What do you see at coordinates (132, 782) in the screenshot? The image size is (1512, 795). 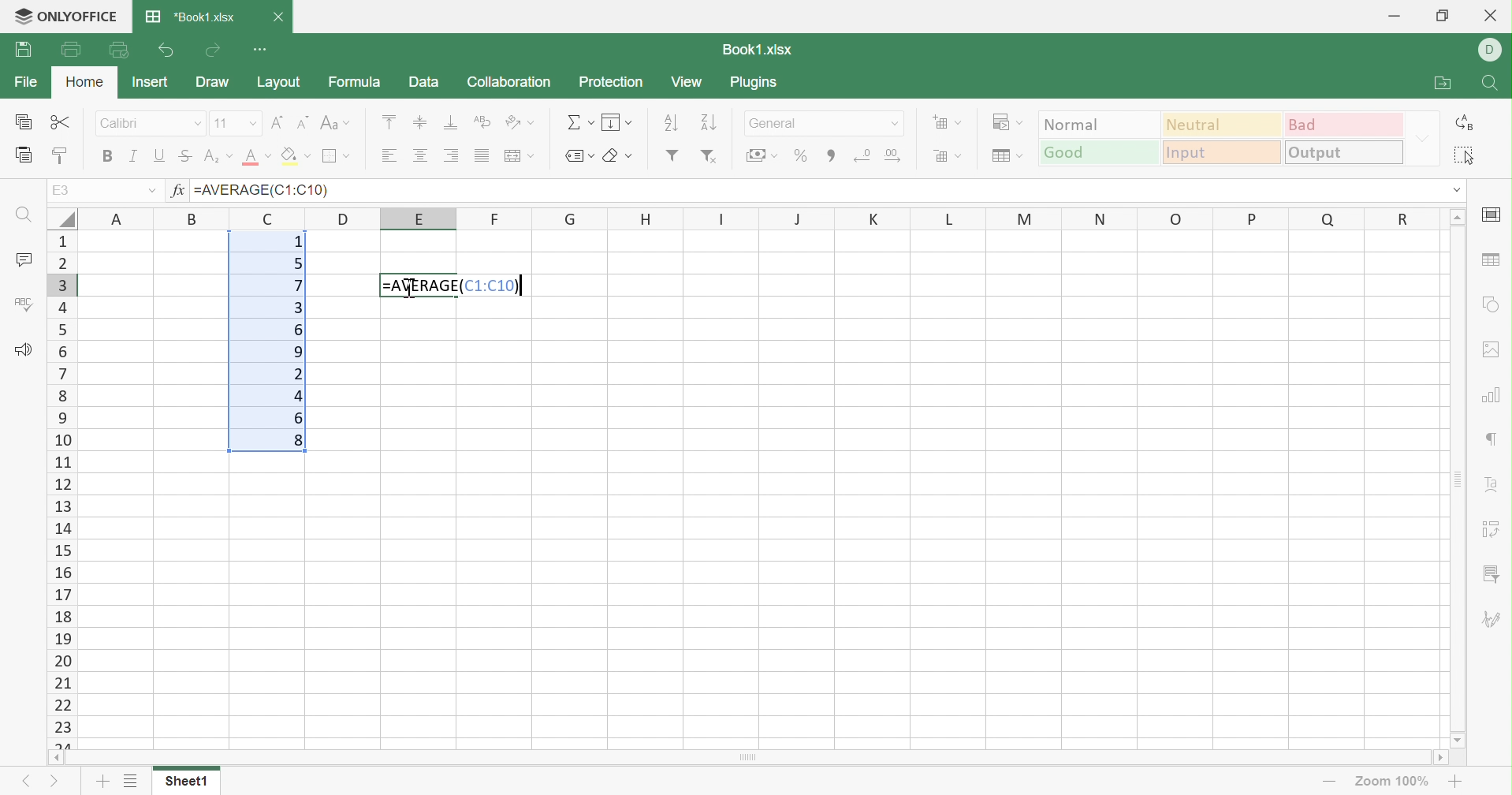 I see `List of sheets` at bounding box center [132, 782].